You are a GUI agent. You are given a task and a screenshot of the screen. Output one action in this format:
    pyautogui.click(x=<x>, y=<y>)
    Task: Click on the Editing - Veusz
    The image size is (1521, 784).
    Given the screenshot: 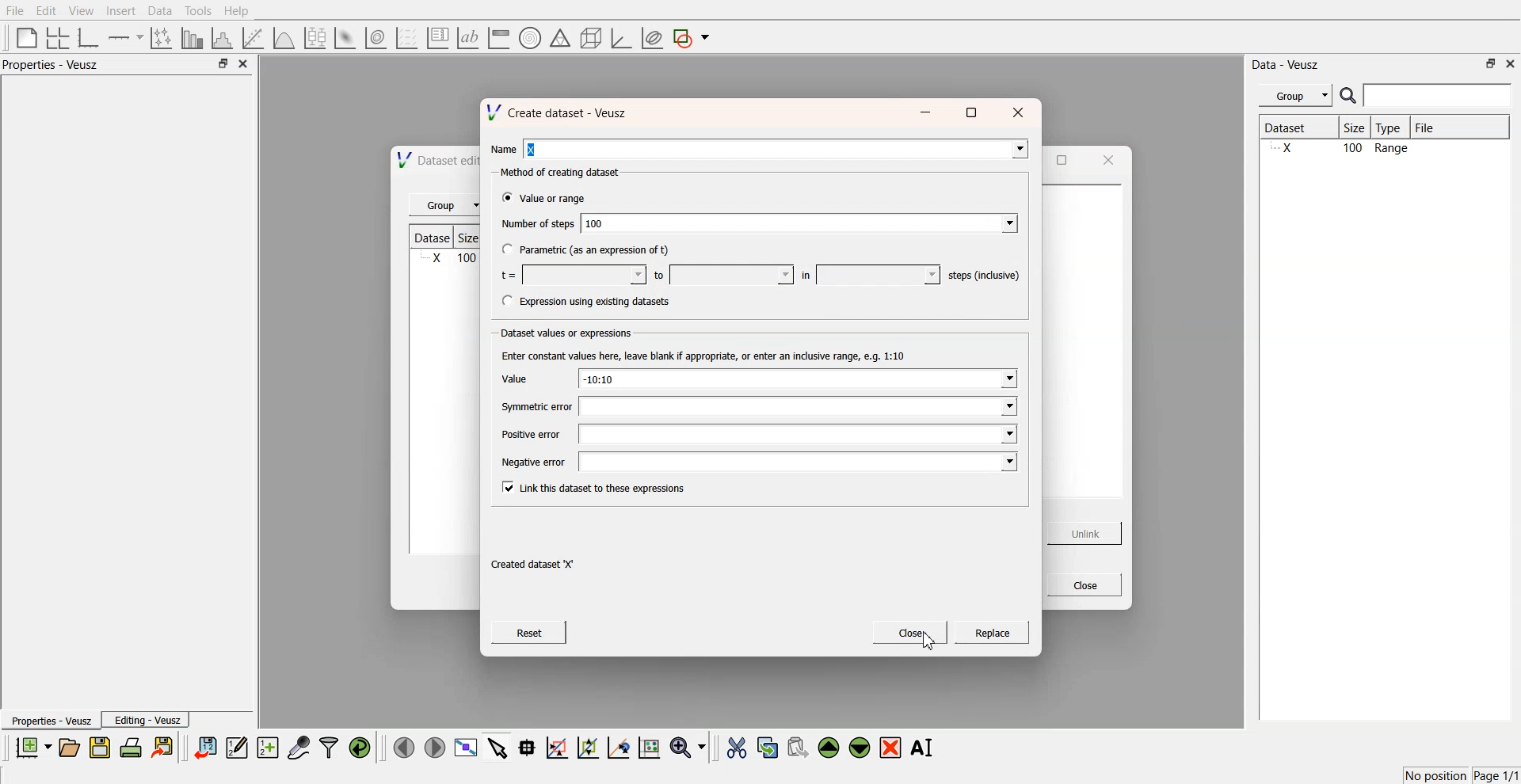 What is the action you would take?
    pyautogui.click(x=147, y=720)
    